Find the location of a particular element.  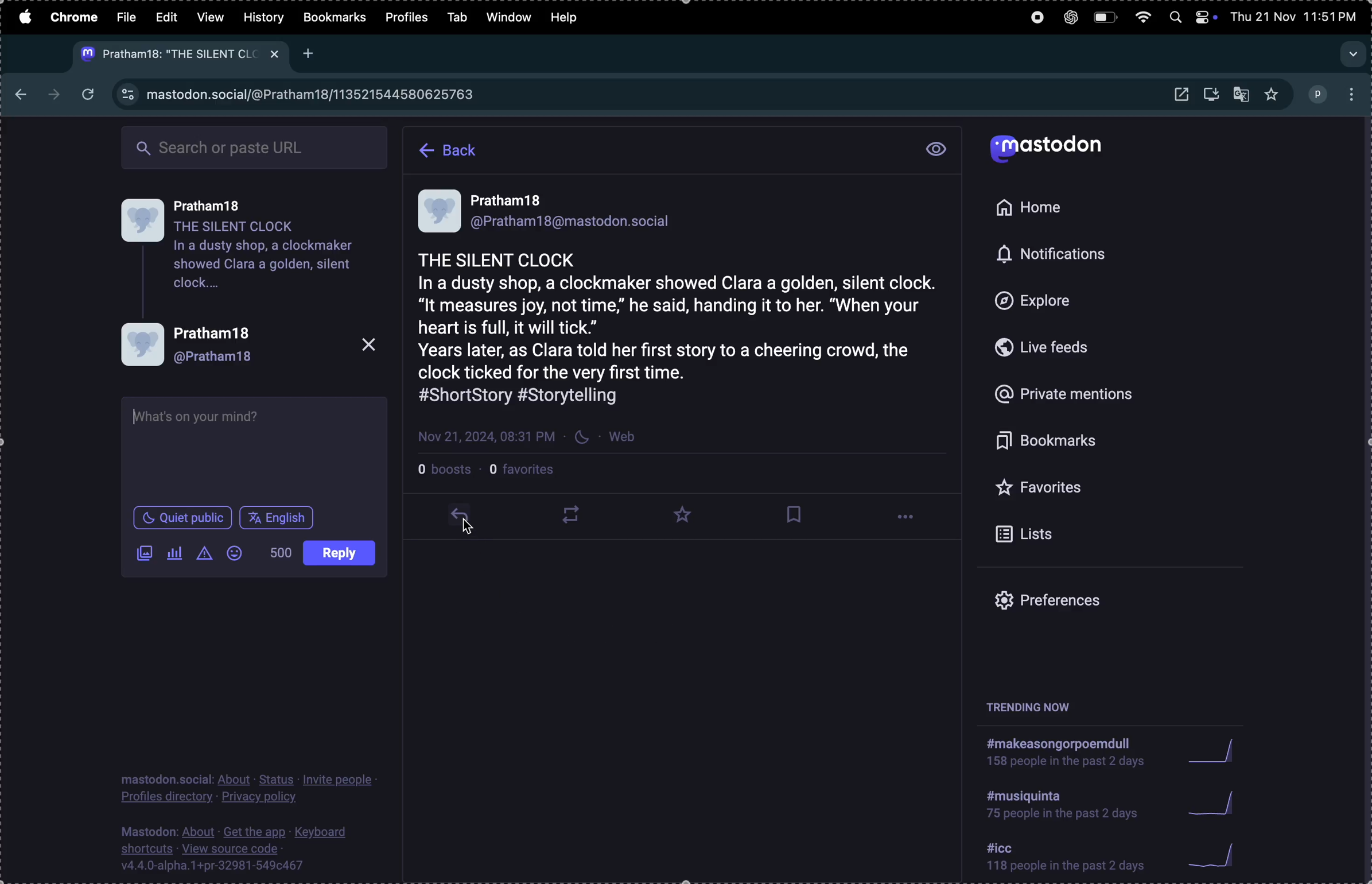

prefrences is located at coordinates (1075, 602).